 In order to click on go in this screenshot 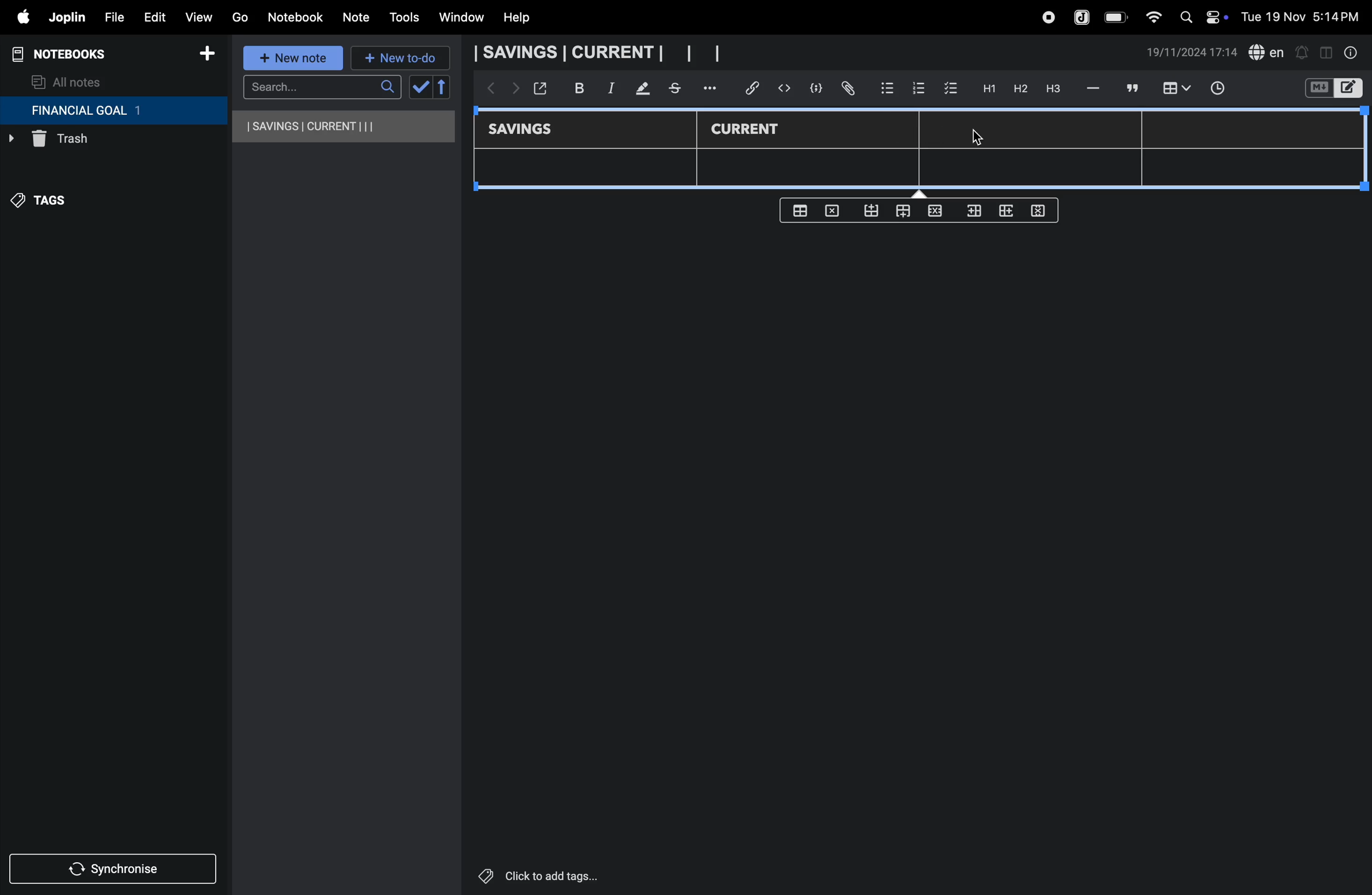, I will do `click(240, 16)`.